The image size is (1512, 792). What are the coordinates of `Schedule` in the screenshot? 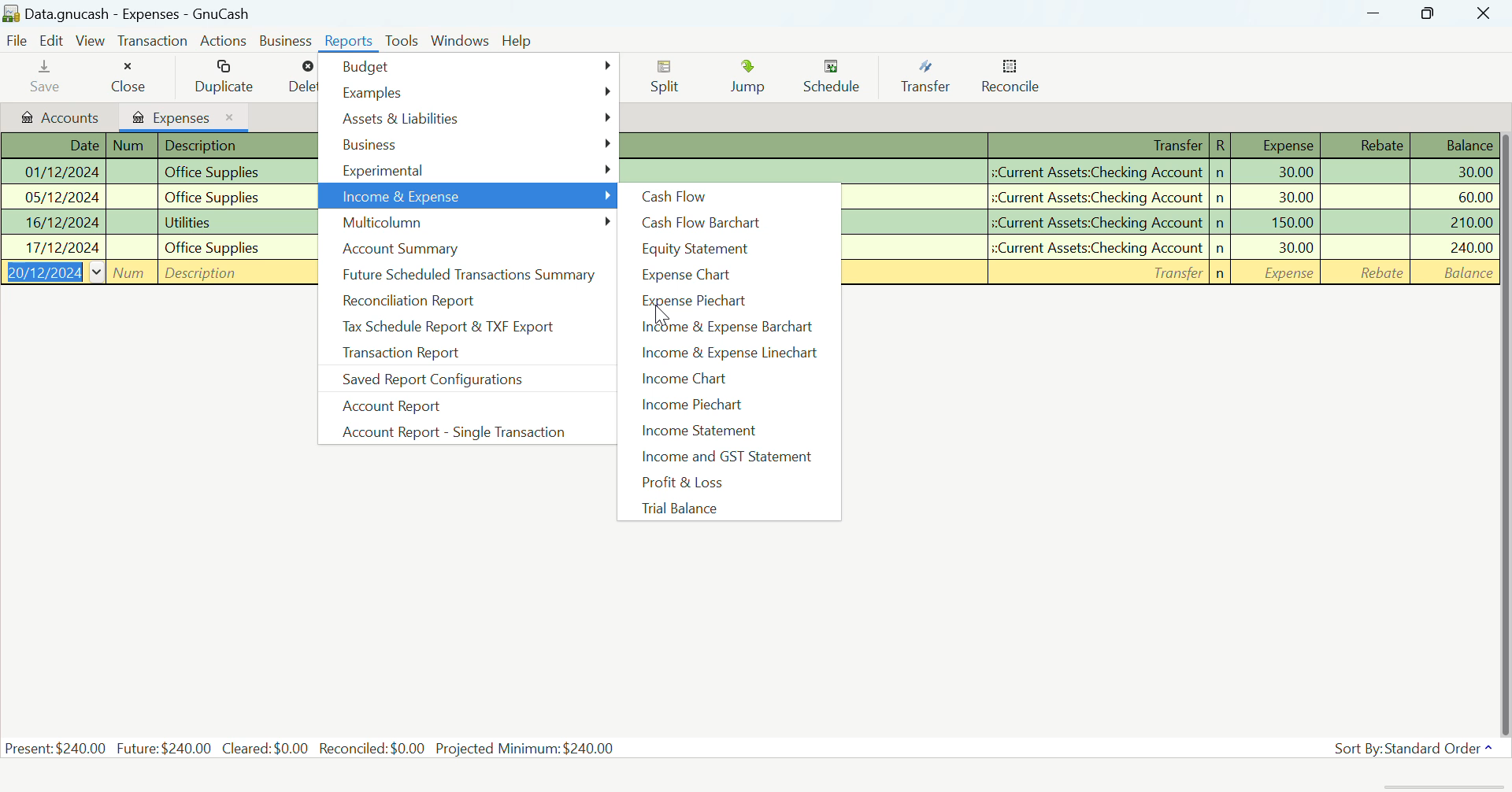 It's located at (833, 80).